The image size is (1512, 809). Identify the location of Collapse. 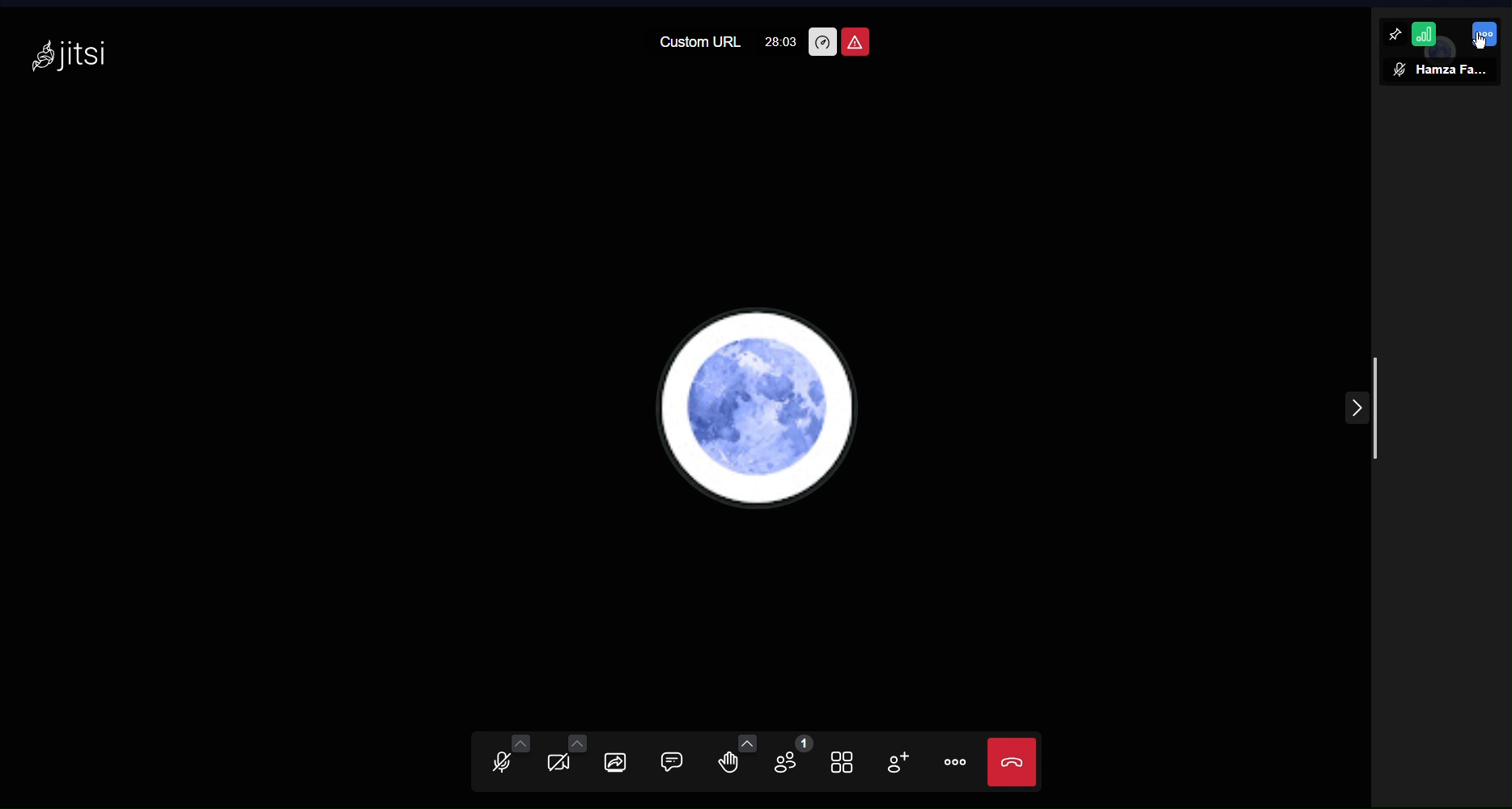
(1356, 405).